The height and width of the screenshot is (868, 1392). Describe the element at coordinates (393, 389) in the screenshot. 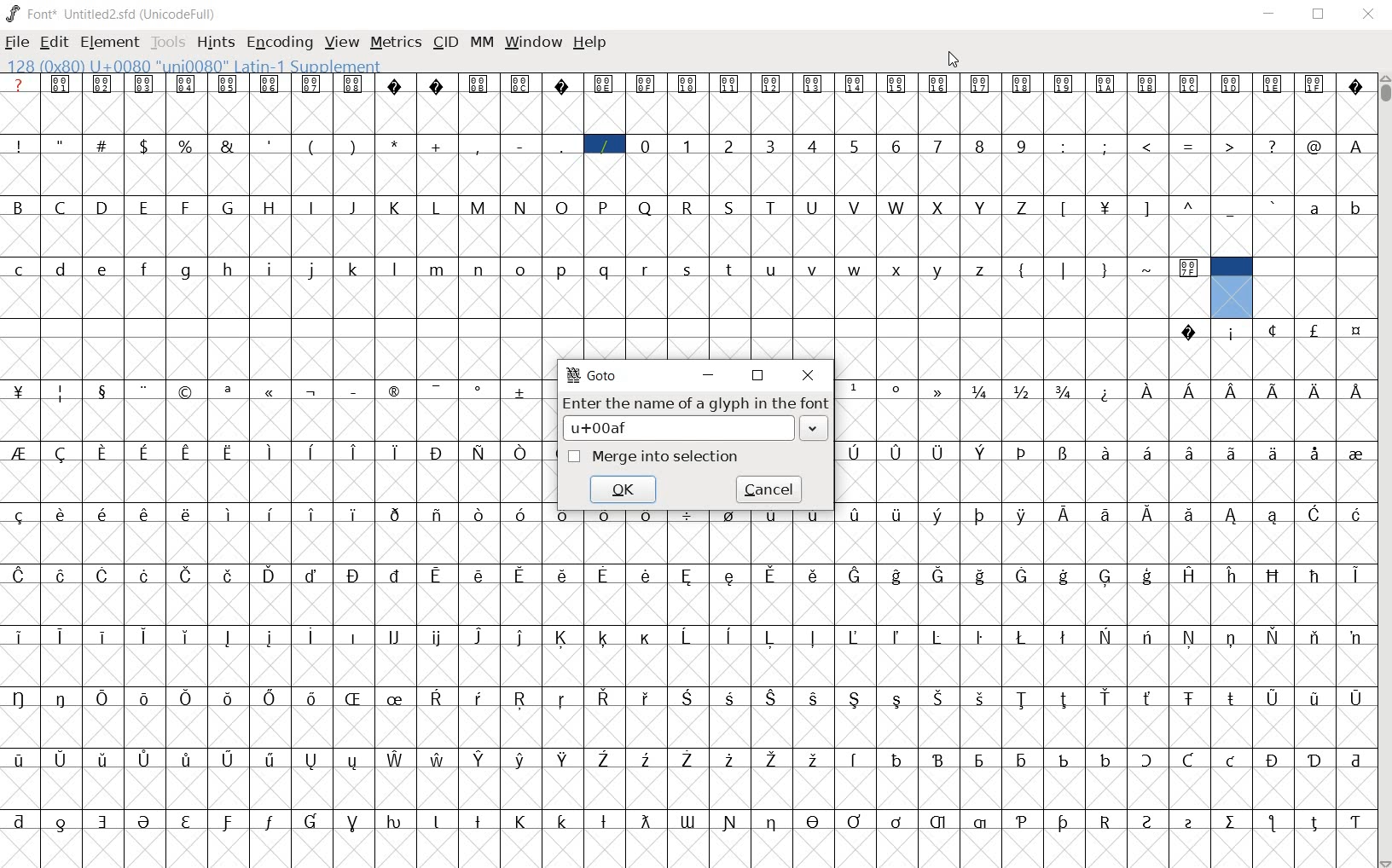

I see `Symbol` at that location.